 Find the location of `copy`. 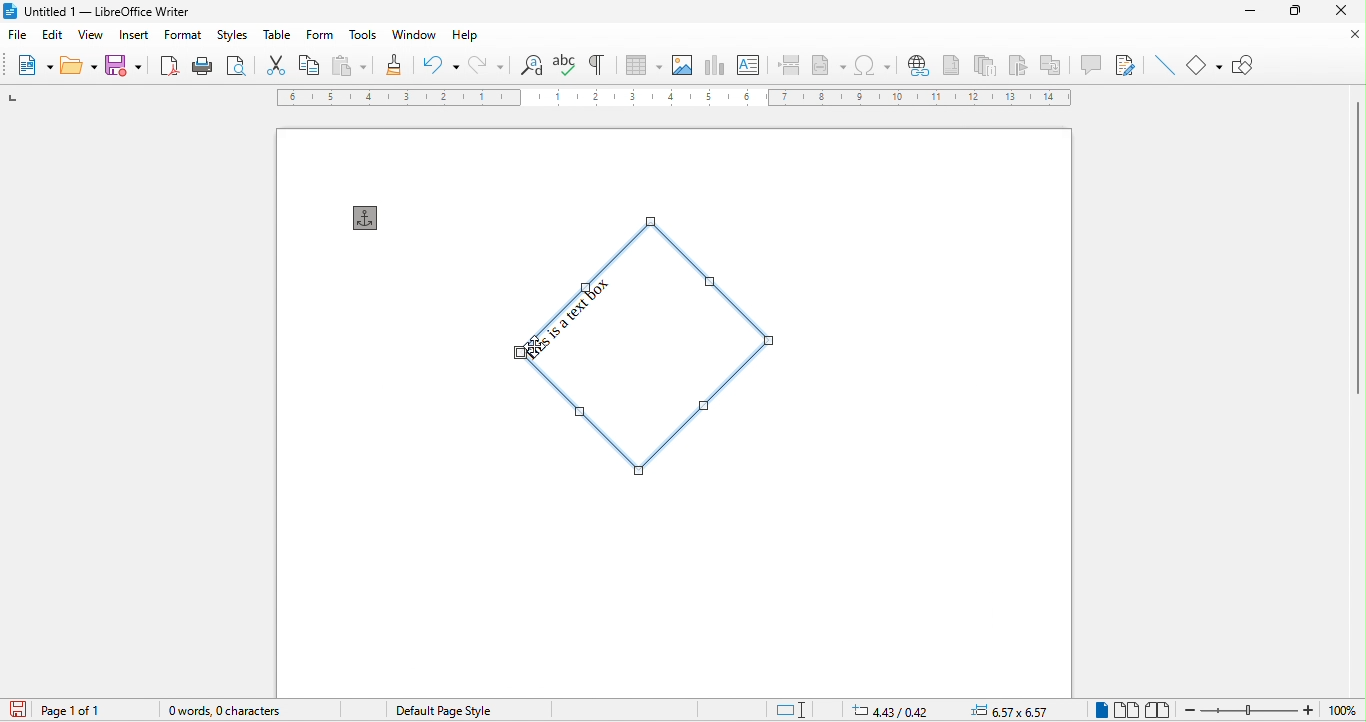

copy is located at coordinates (310, 66).